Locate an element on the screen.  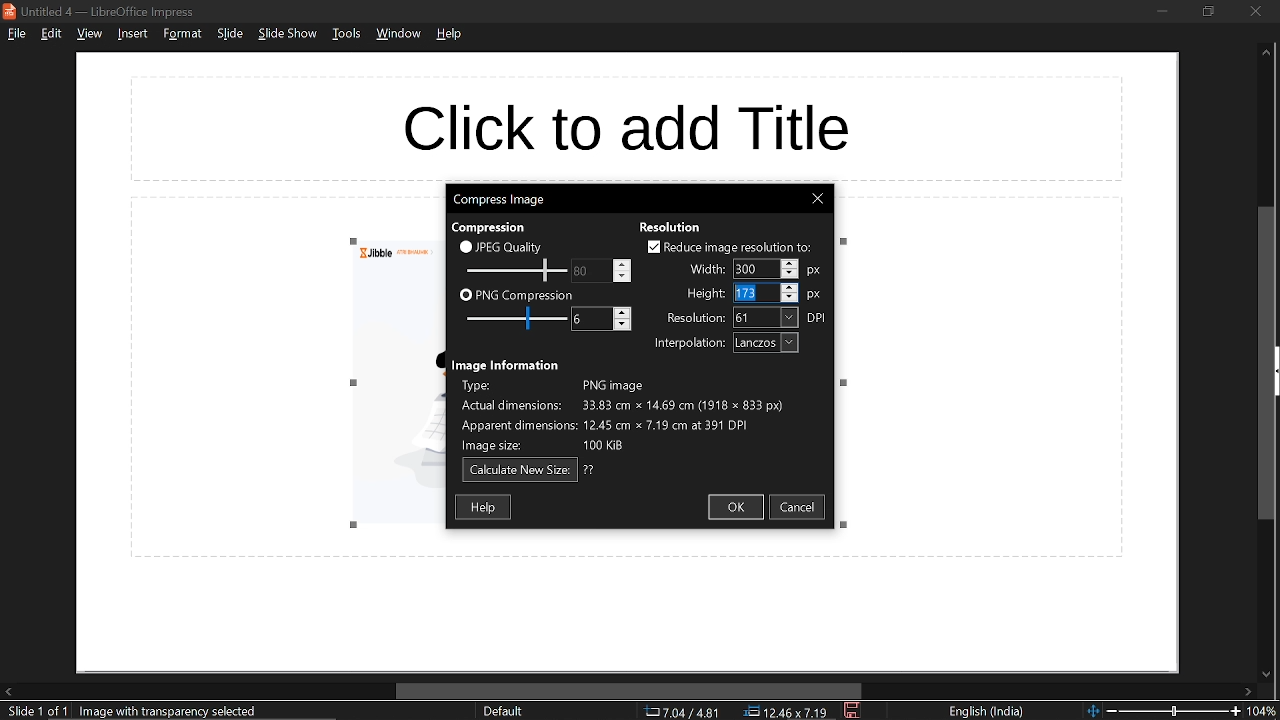
JPEG quality scale is located at coordinates (517, 269).